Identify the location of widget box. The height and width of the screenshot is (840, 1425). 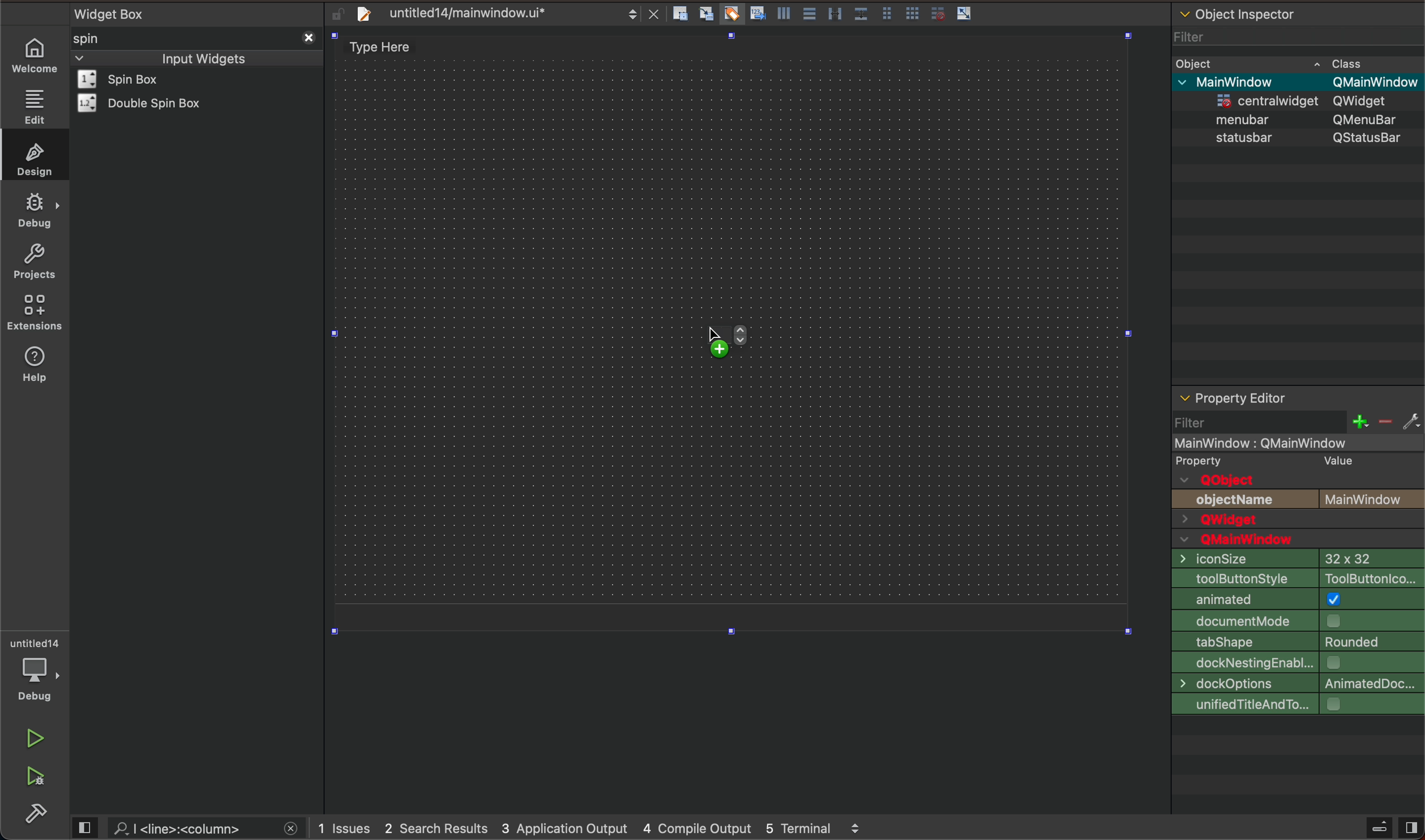
(200, 12).